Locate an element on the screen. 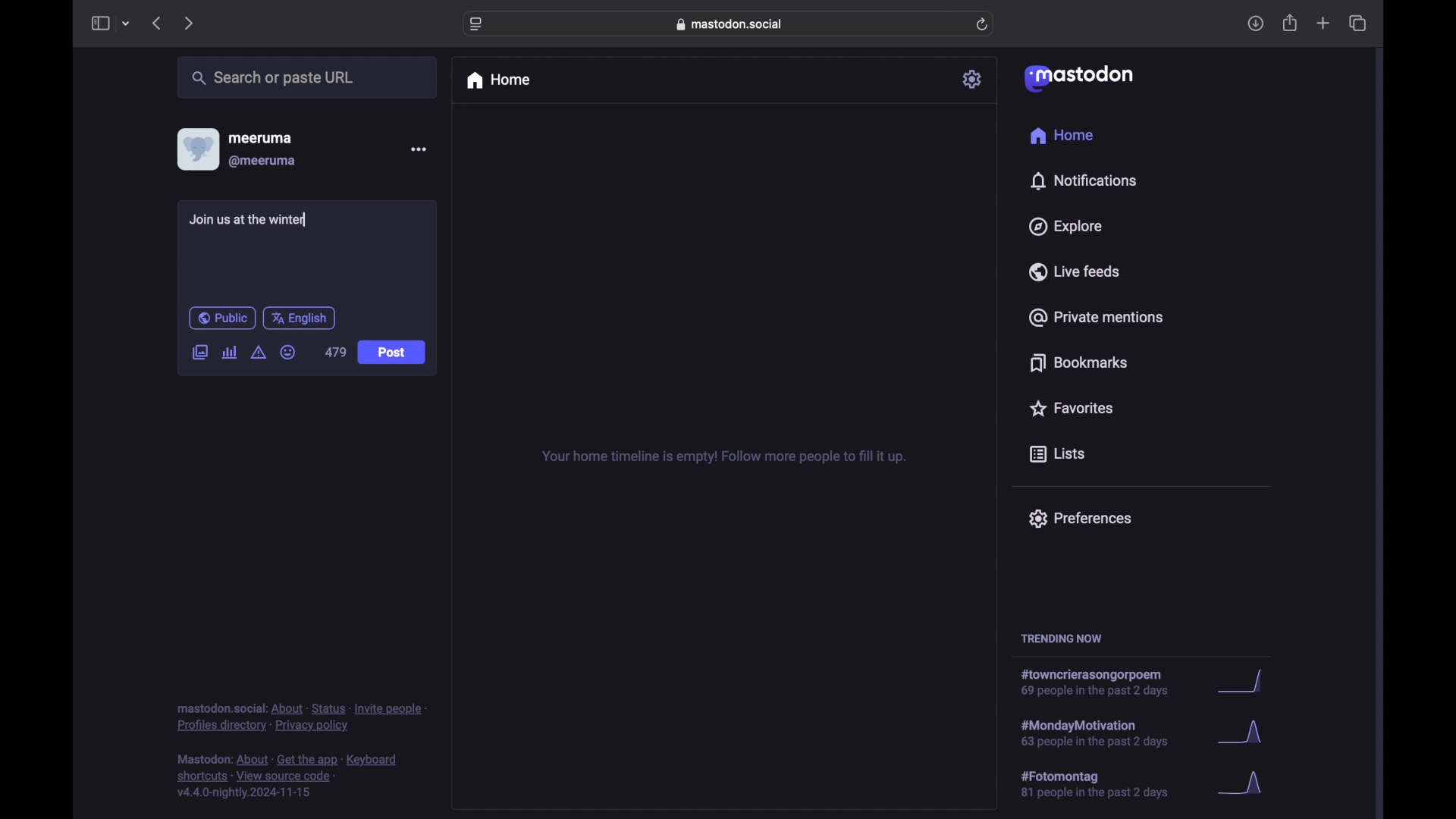  share is located at coordinates (1291, 24).